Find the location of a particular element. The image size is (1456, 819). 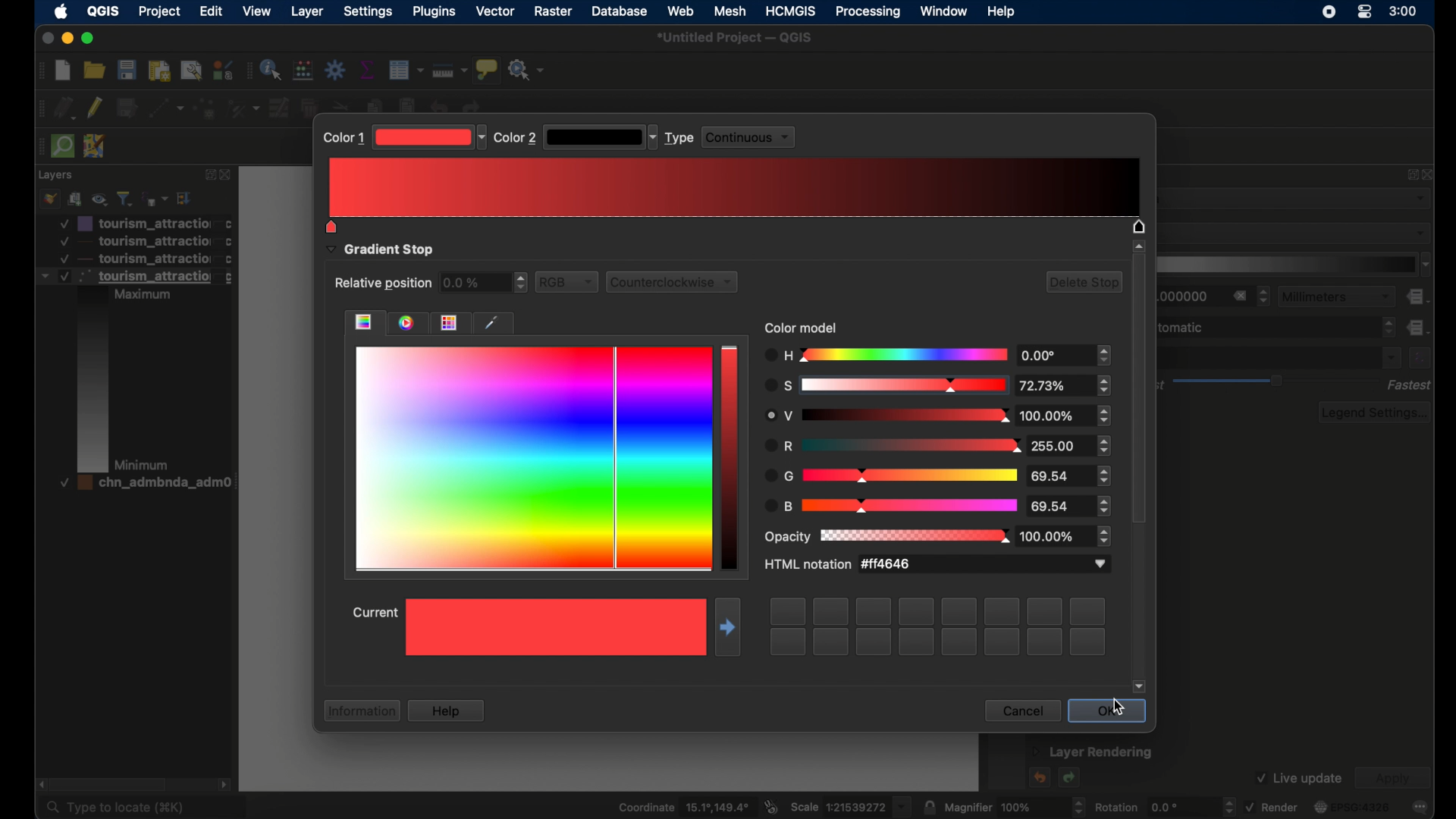

type to locate is located at coordinates (142, 808).